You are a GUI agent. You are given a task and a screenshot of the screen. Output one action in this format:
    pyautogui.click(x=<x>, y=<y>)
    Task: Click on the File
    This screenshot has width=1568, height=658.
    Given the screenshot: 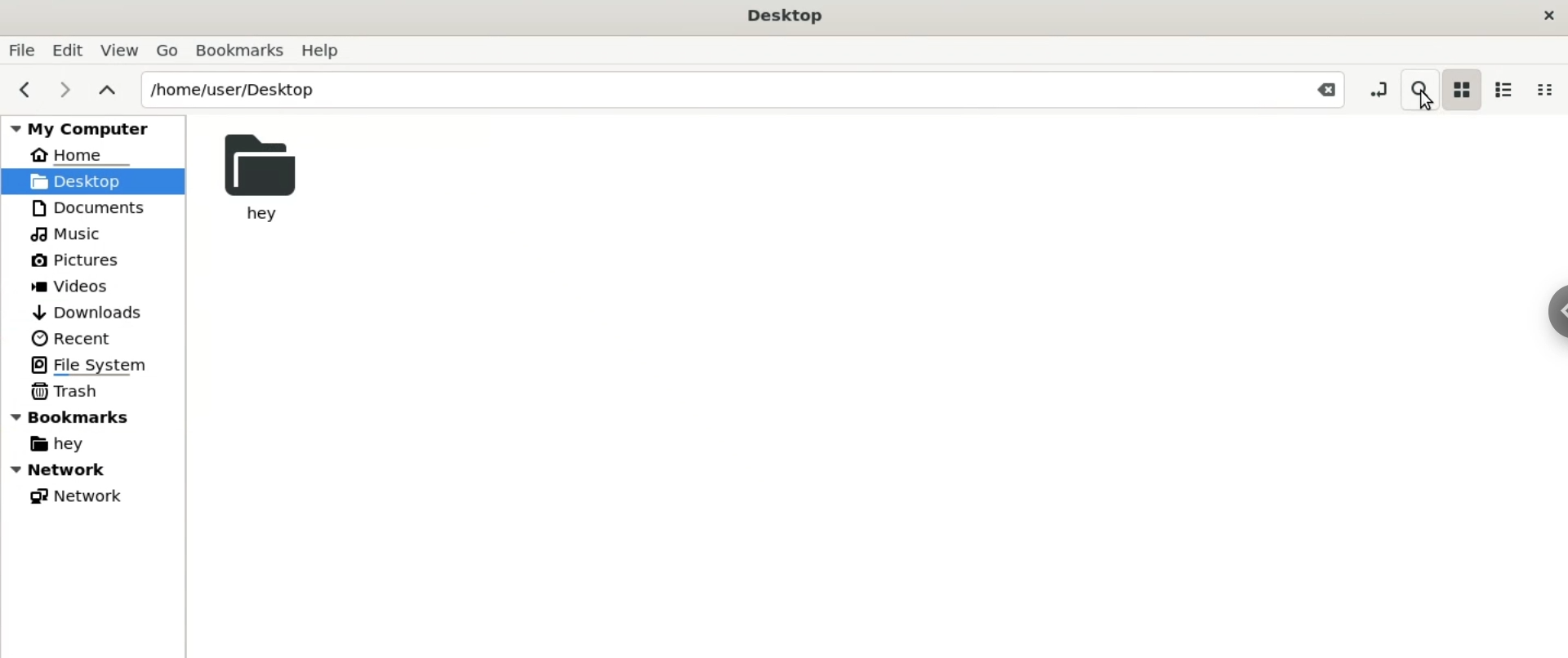 What is the action you would take?
    pyautogui.click(x=21, y=49)
    